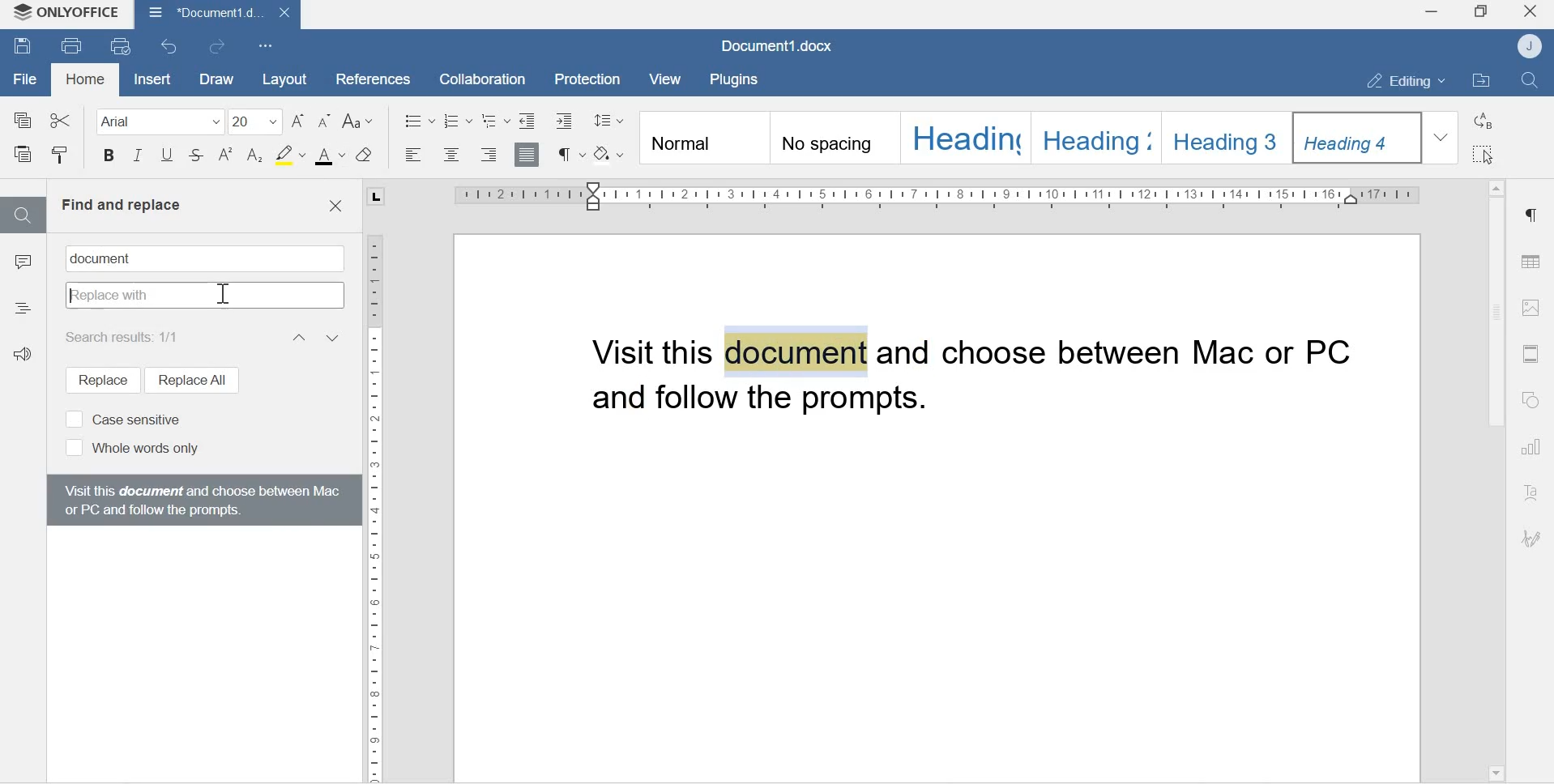 The width and height of the screenshot is (1554, 784). I want to click on Copy style, so click(60, 156).